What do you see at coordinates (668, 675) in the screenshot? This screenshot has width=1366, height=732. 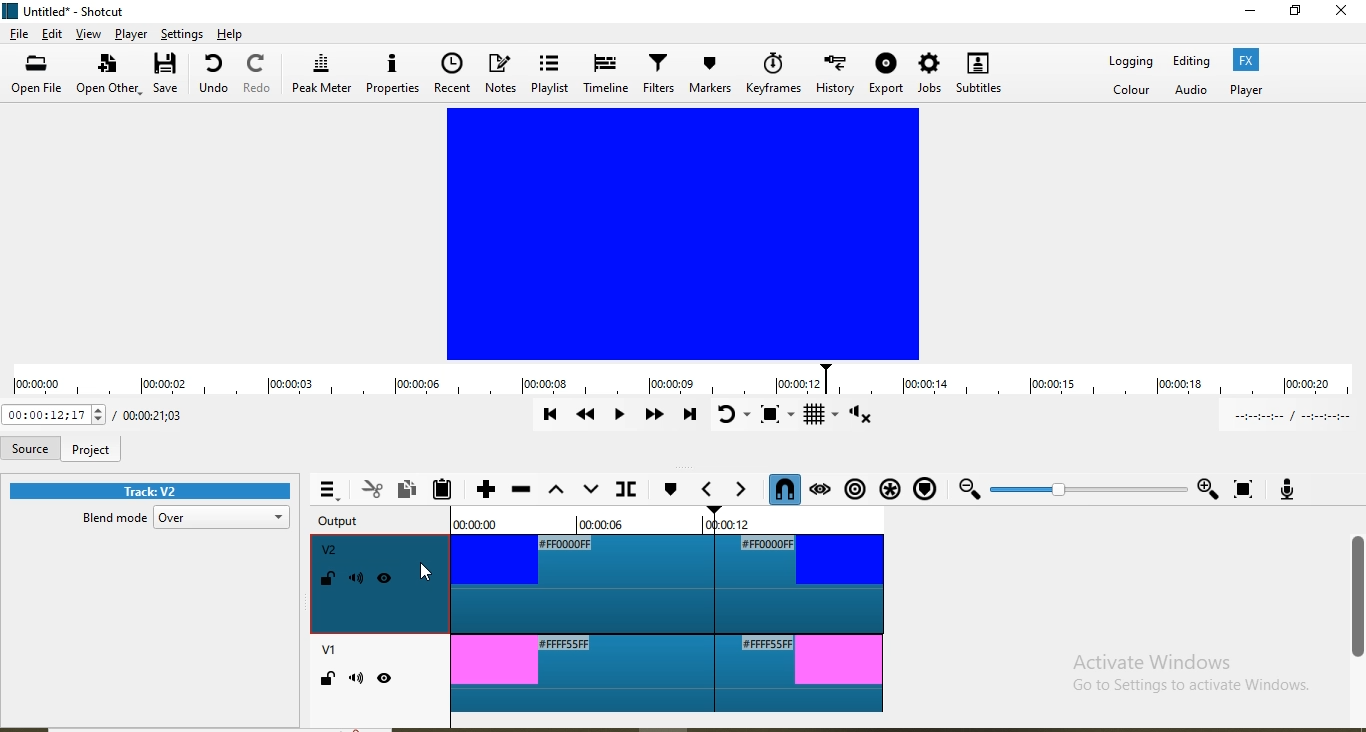 I see `Video track` at bounding box center [668, 675].